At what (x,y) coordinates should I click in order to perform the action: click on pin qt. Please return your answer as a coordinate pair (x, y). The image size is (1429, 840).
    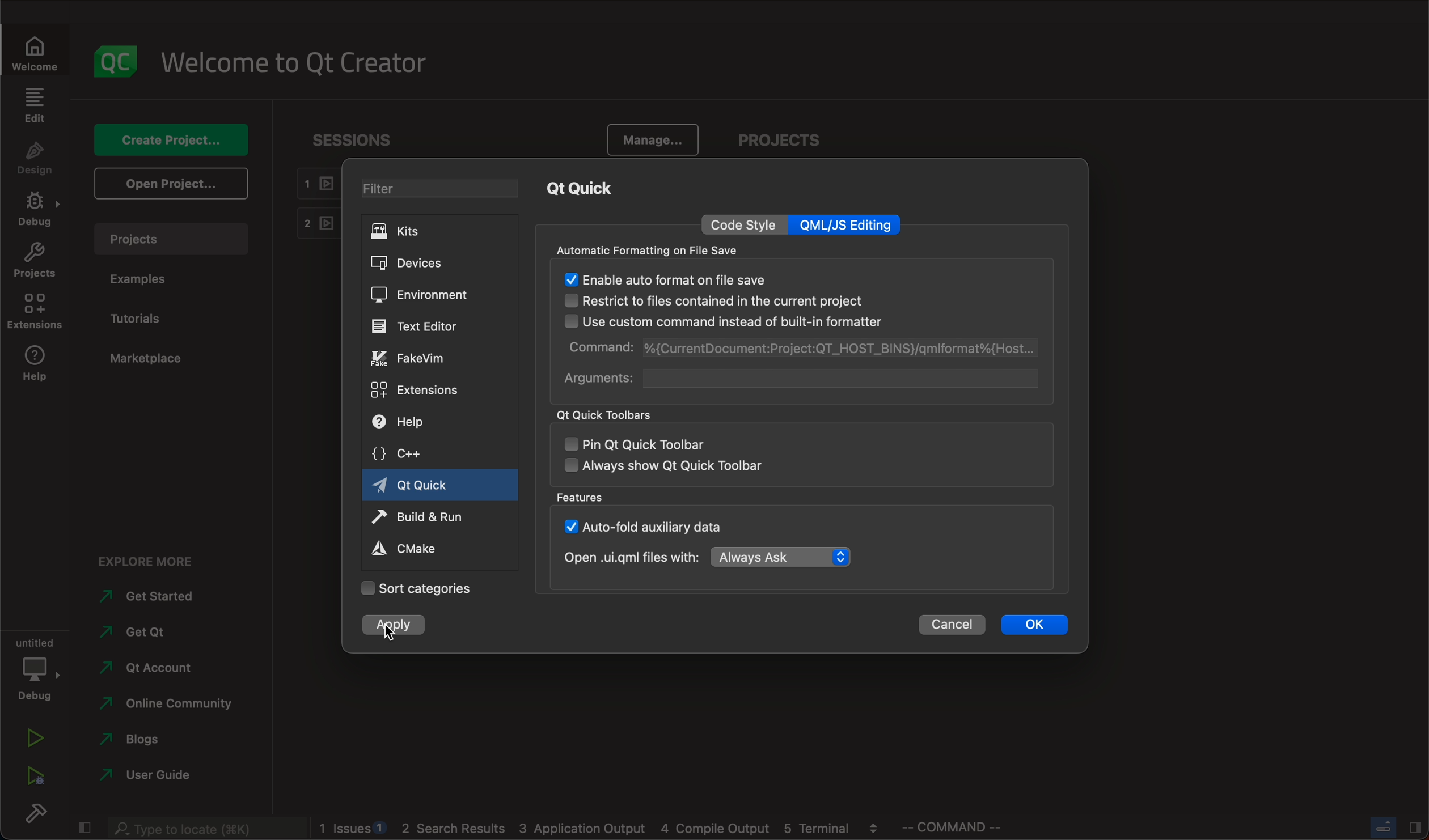
    Looking at the image, I should click on (667, 444).